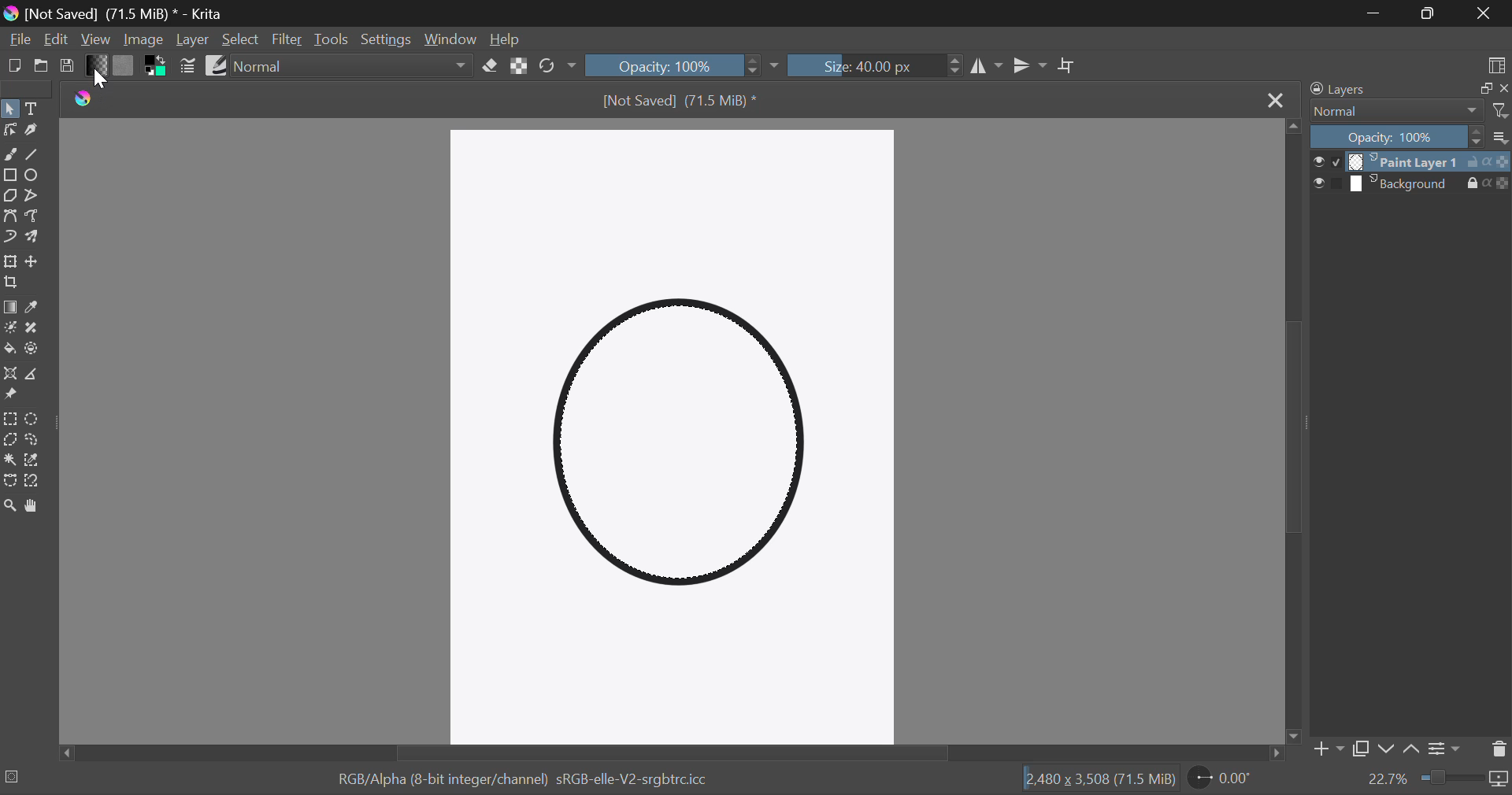  What do you see at coordinates (1405, 162) in the screenshot?
I see `layer 1` at bounding box center [1405, 162].